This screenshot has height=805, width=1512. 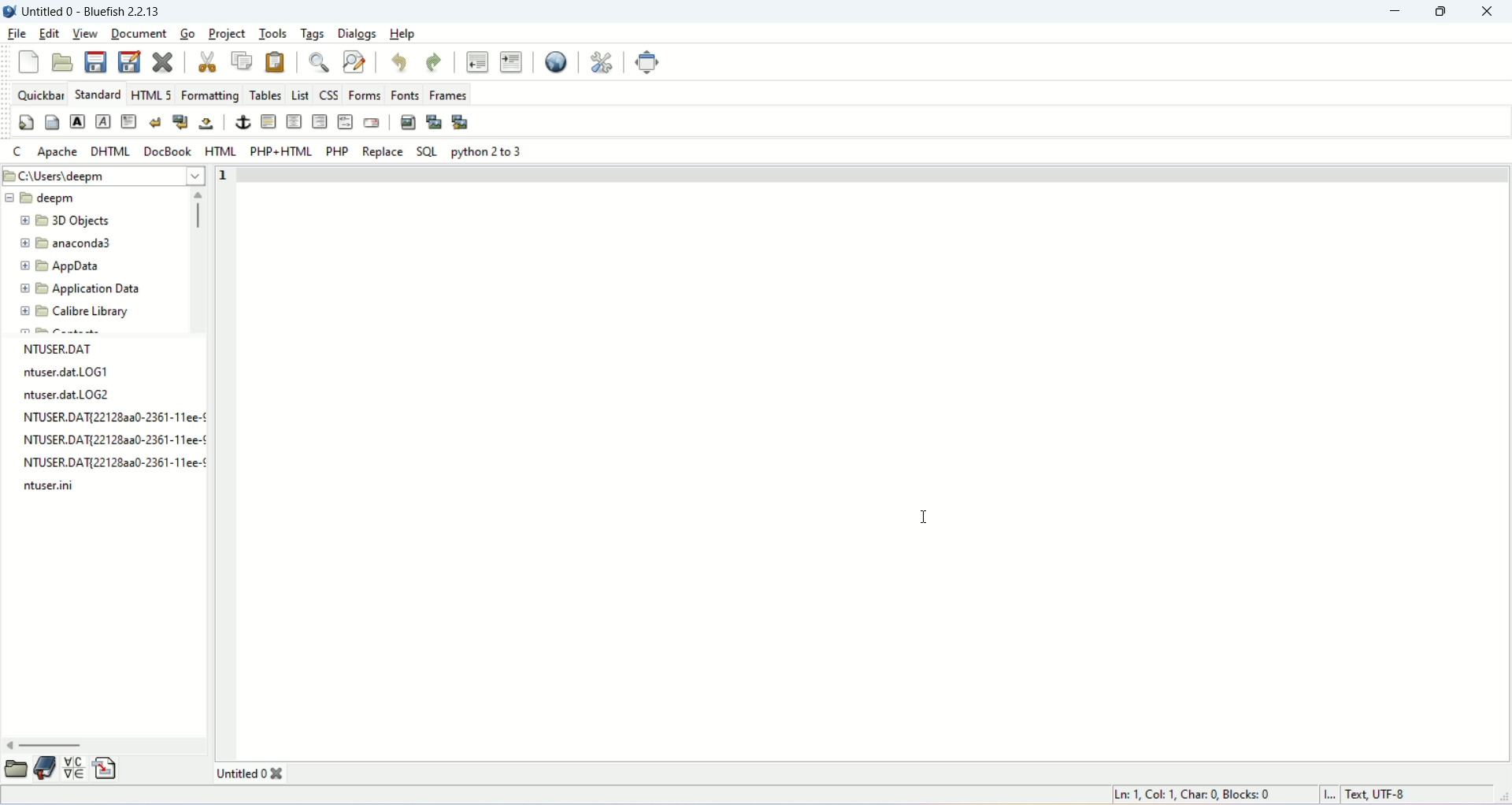 What do you see at coordinates (40, 93) in the screenshot?
I see `quickbar` at bounding box center [40, 93].